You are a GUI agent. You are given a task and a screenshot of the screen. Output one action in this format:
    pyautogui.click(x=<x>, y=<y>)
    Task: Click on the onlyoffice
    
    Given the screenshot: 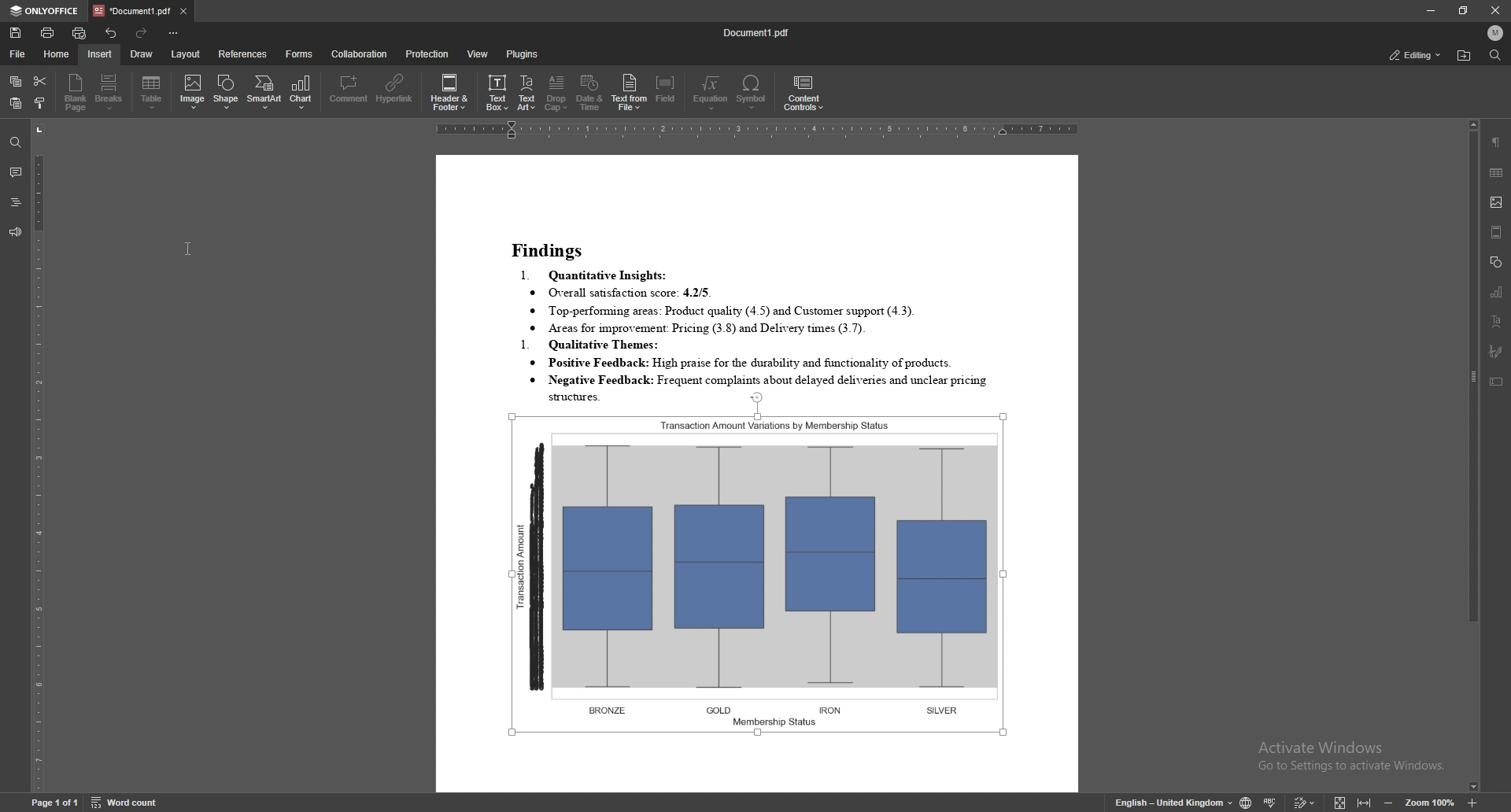 What is the action you would take?
    pyautogui.click(x=46, y=11)
    